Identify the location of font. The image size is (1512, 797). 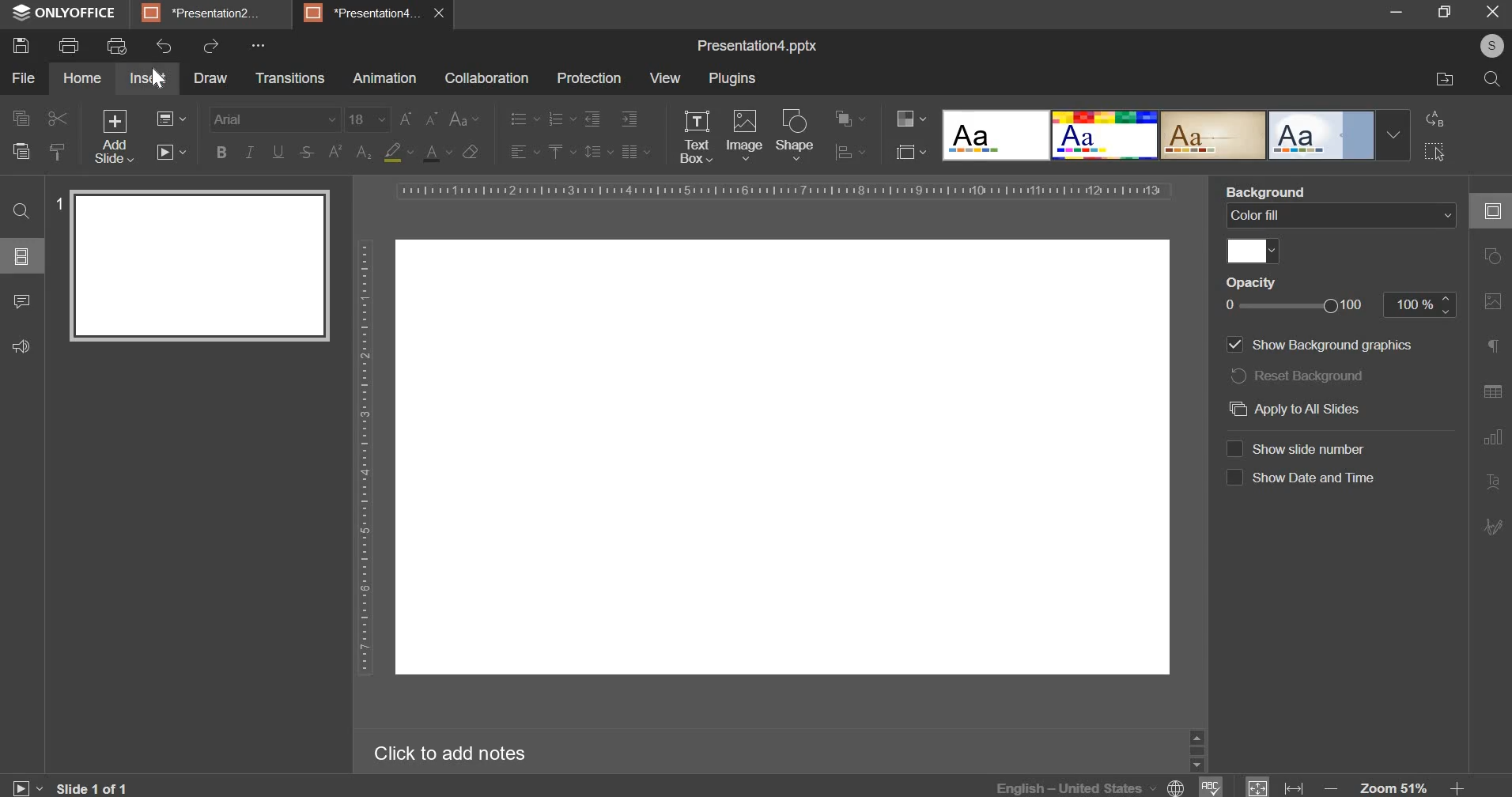
(274, 119).